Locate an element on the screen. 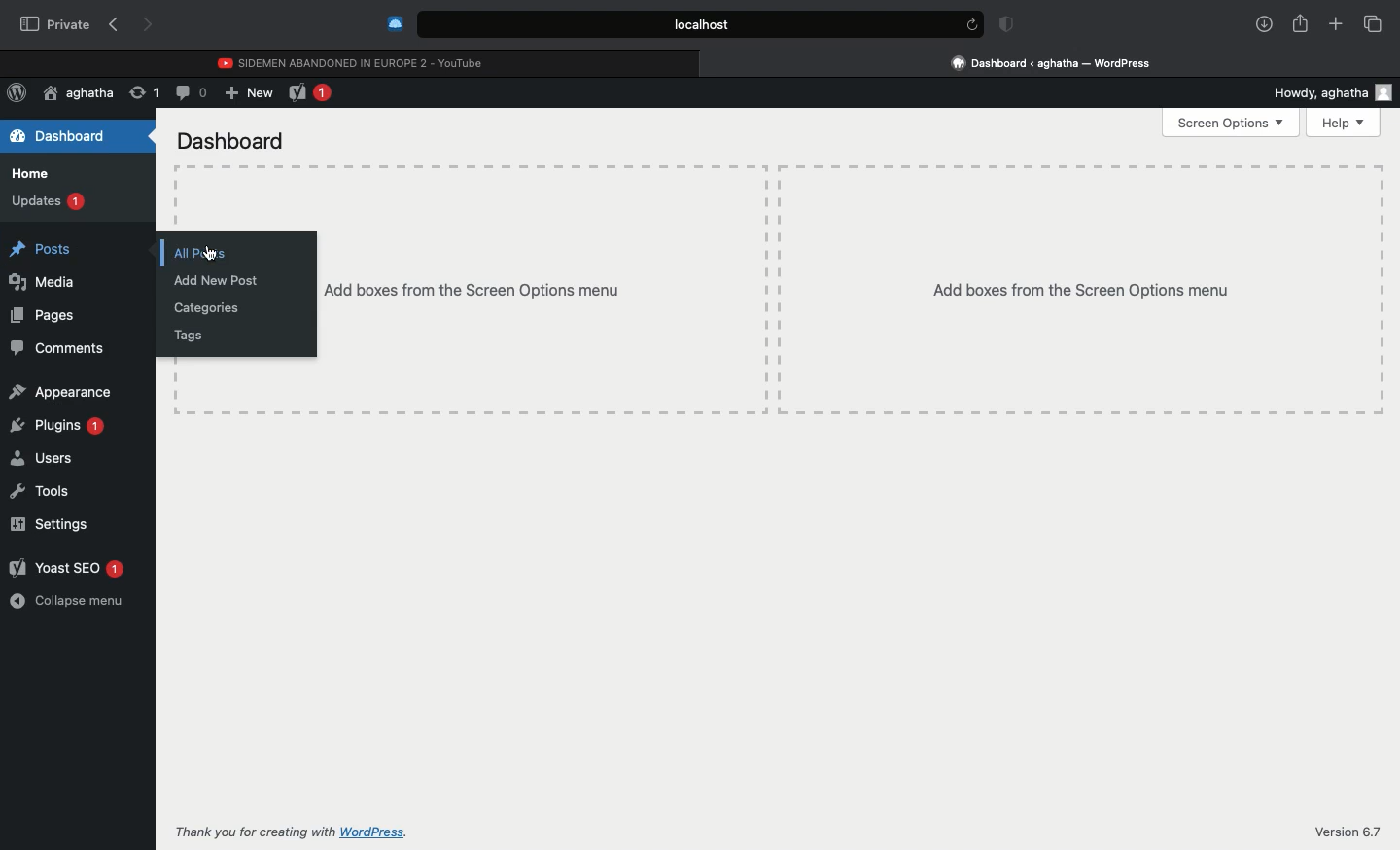 The height and width of the screenshot is (850, 1400). New tab is located at coordinates (1336, 24).